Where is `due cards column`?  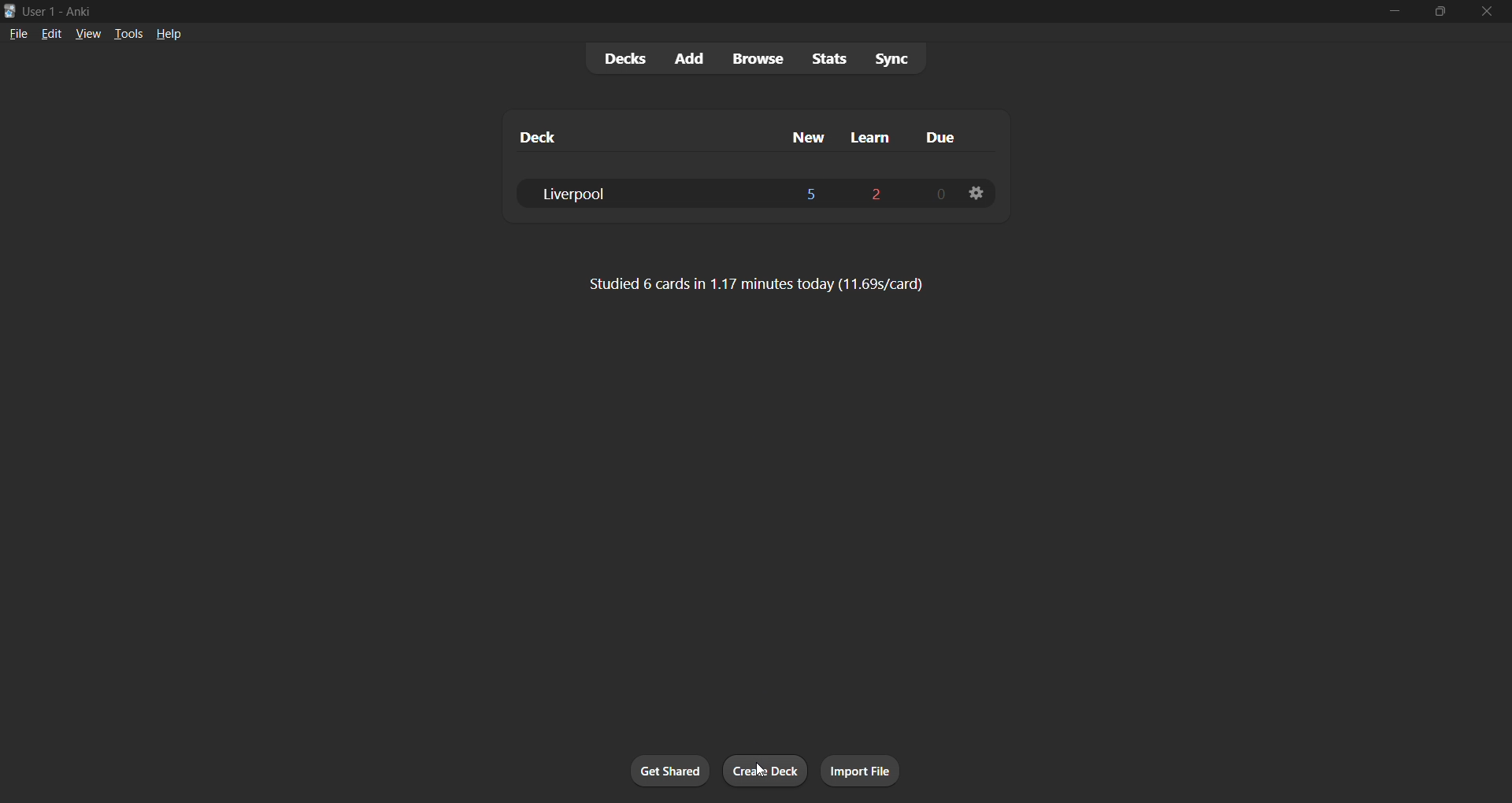 due cards column is located at coordinates (946, 141).